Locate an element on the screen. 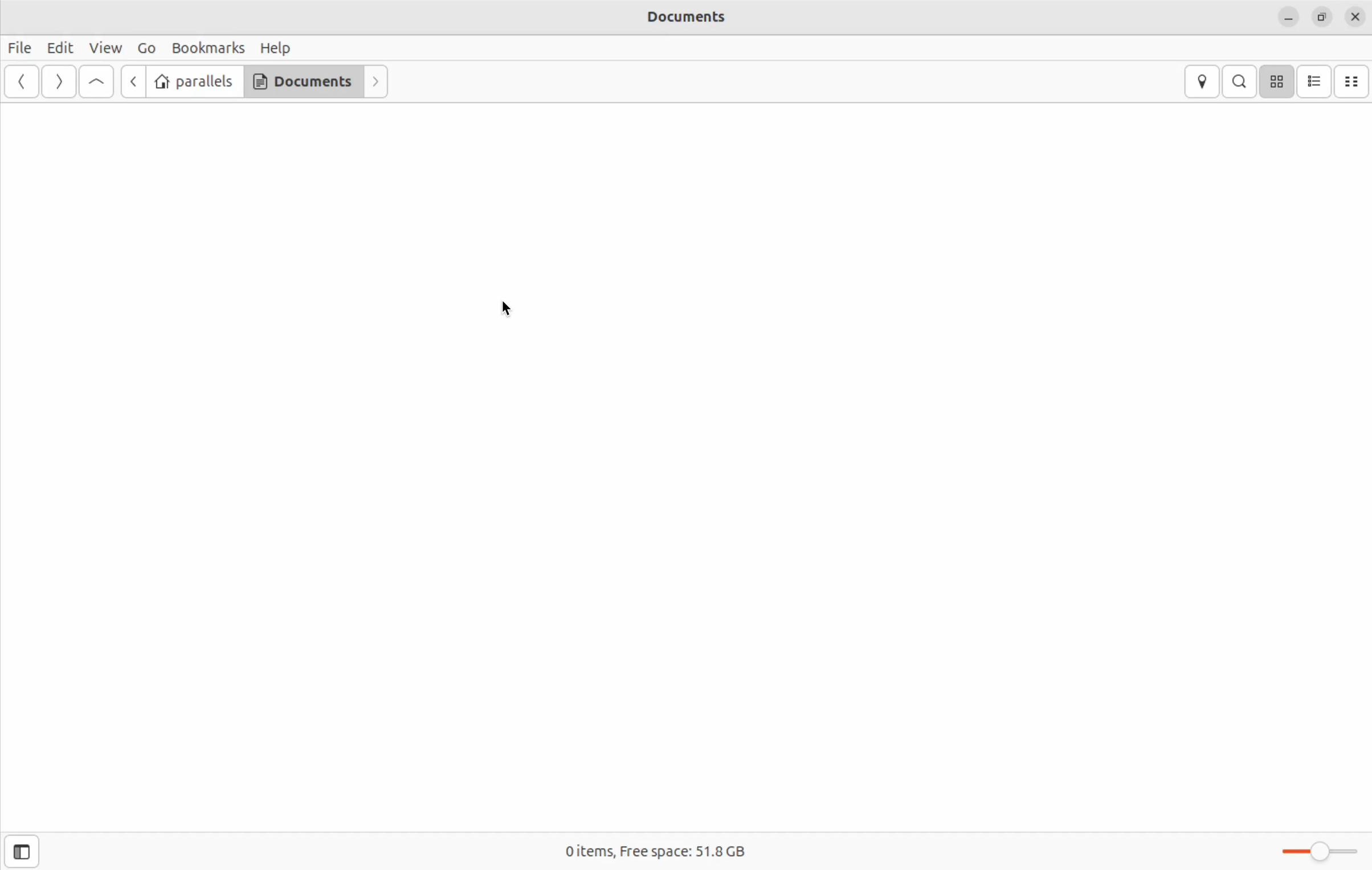  close is located at coordinates (1358, 17).